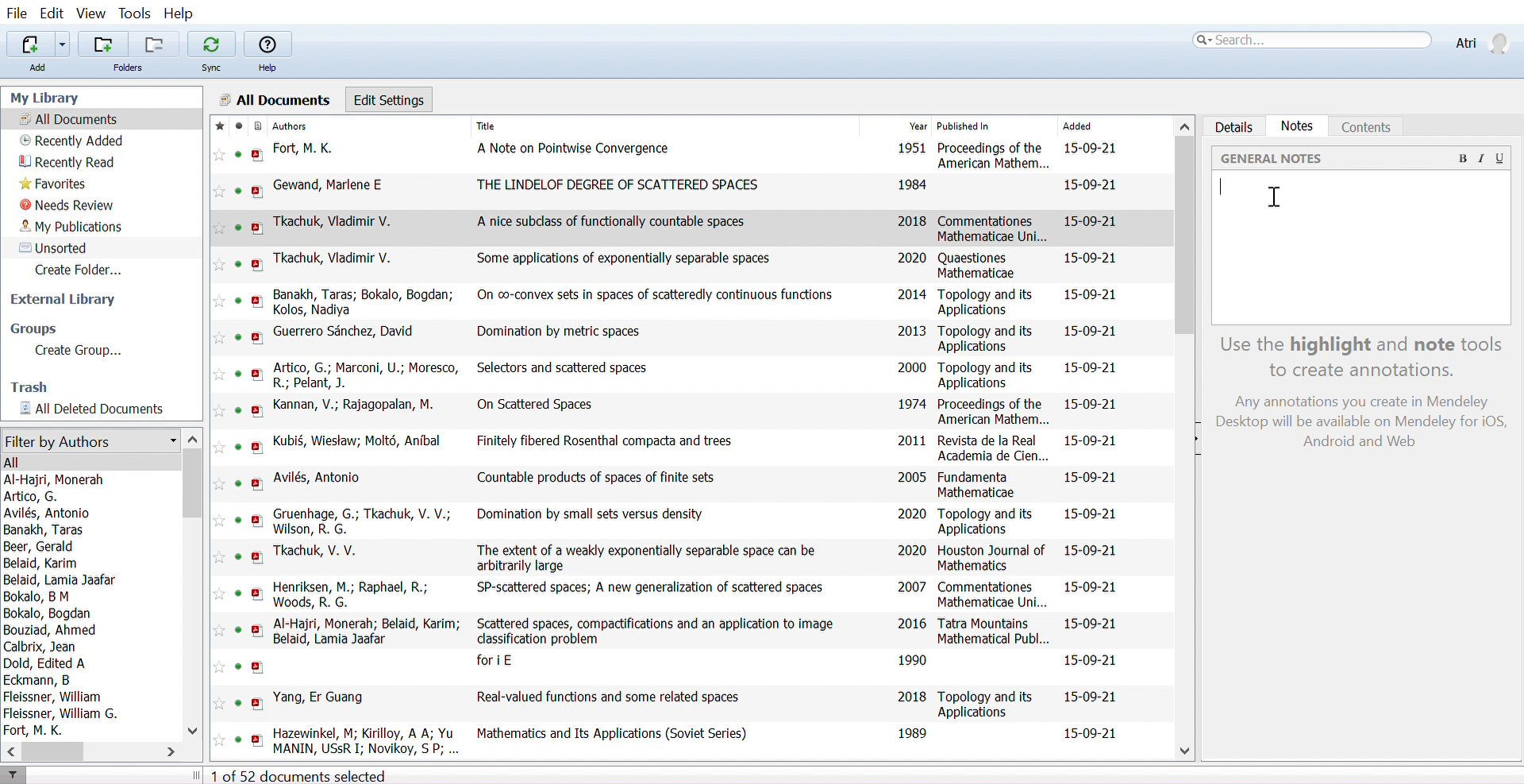  What do you see at coordinates (219, 557) in the screenshot?
I see `Add this reference to favorites` at bounding box center [219, 557].